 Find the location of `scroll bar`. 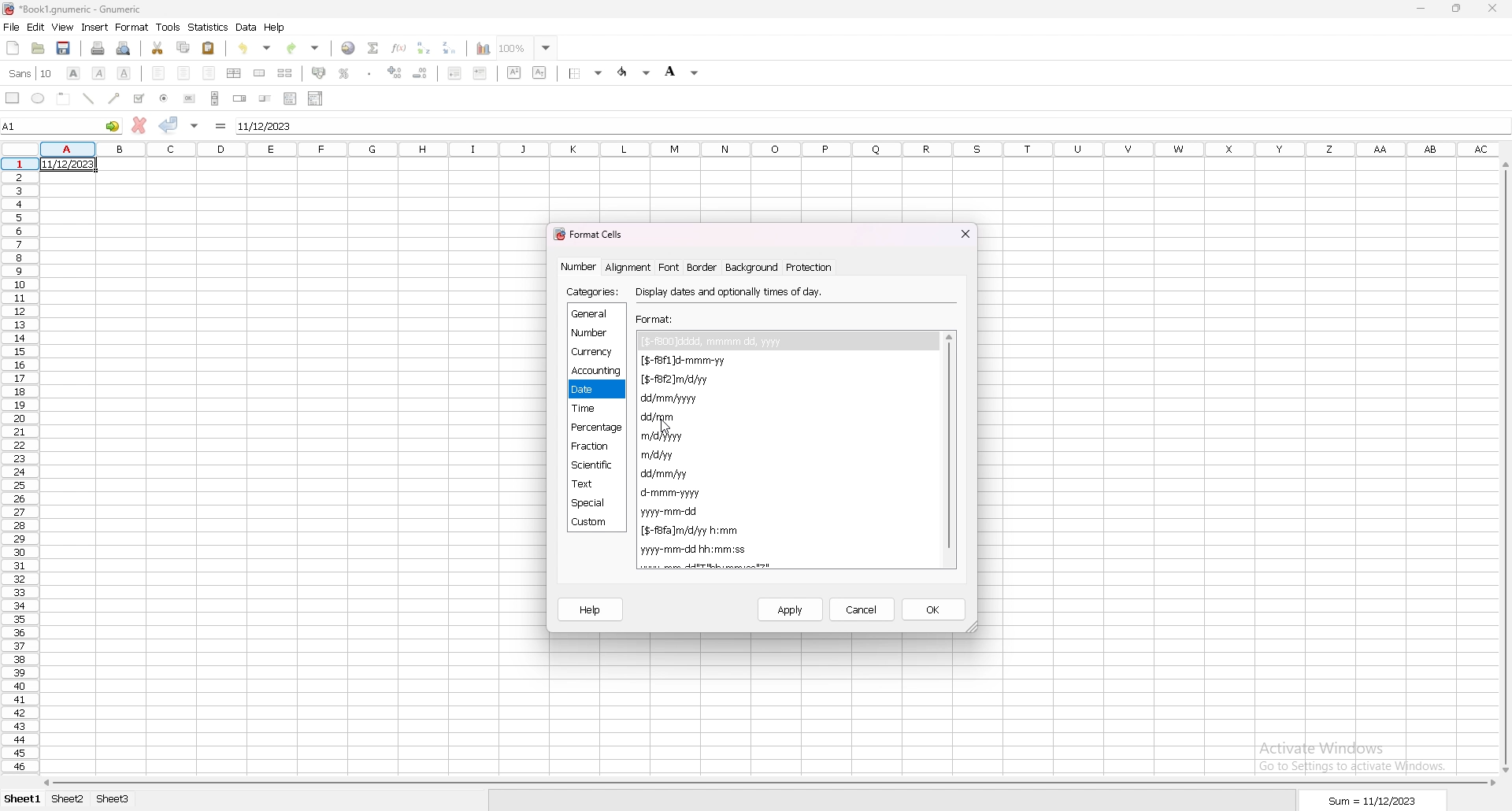

scroll bar is located at coordinates (1503, 467).